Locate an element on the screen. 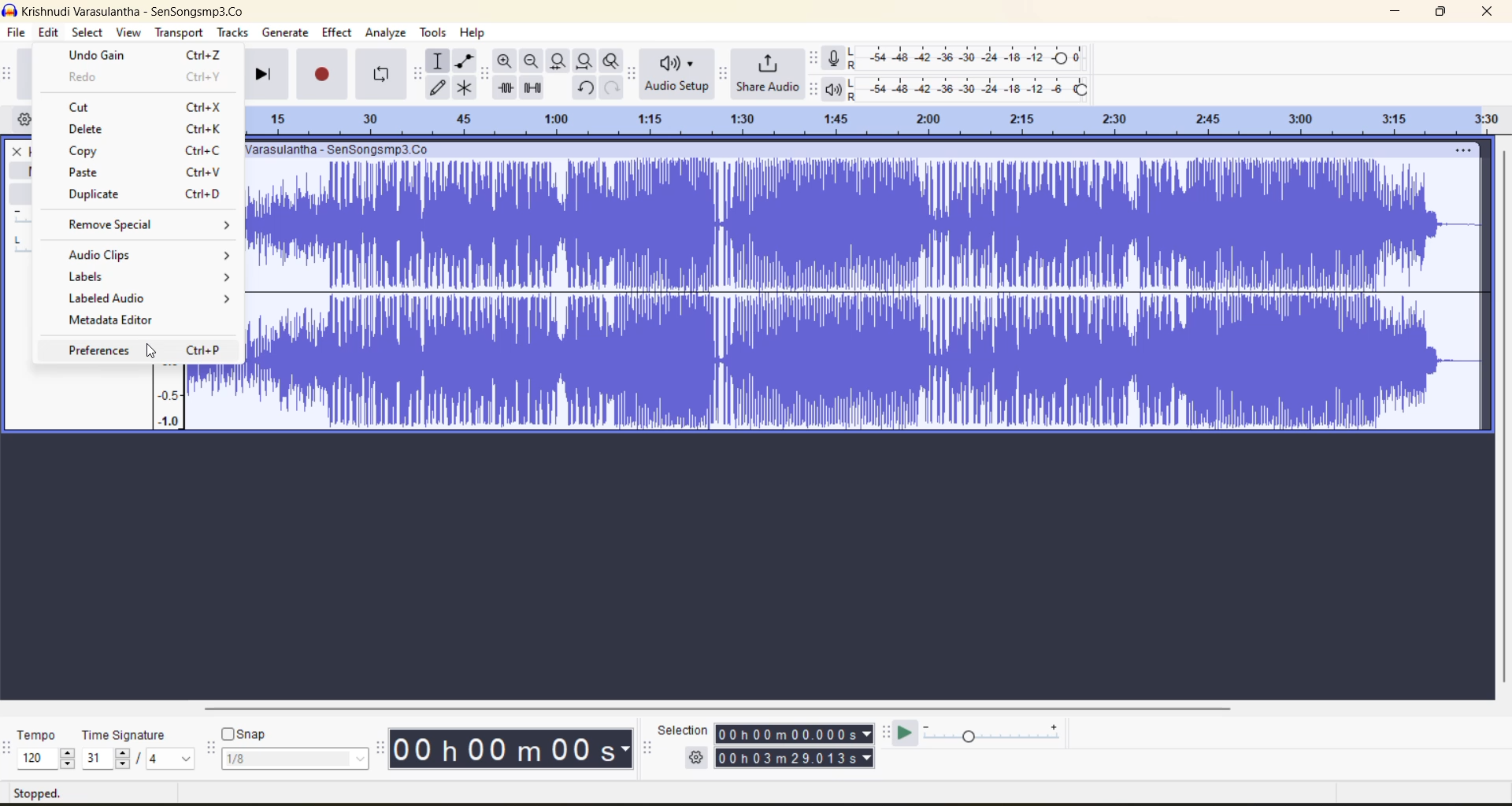 This screenshot has width=1512, height=806. trim audio outside selection is located at coordinates (505, 89).